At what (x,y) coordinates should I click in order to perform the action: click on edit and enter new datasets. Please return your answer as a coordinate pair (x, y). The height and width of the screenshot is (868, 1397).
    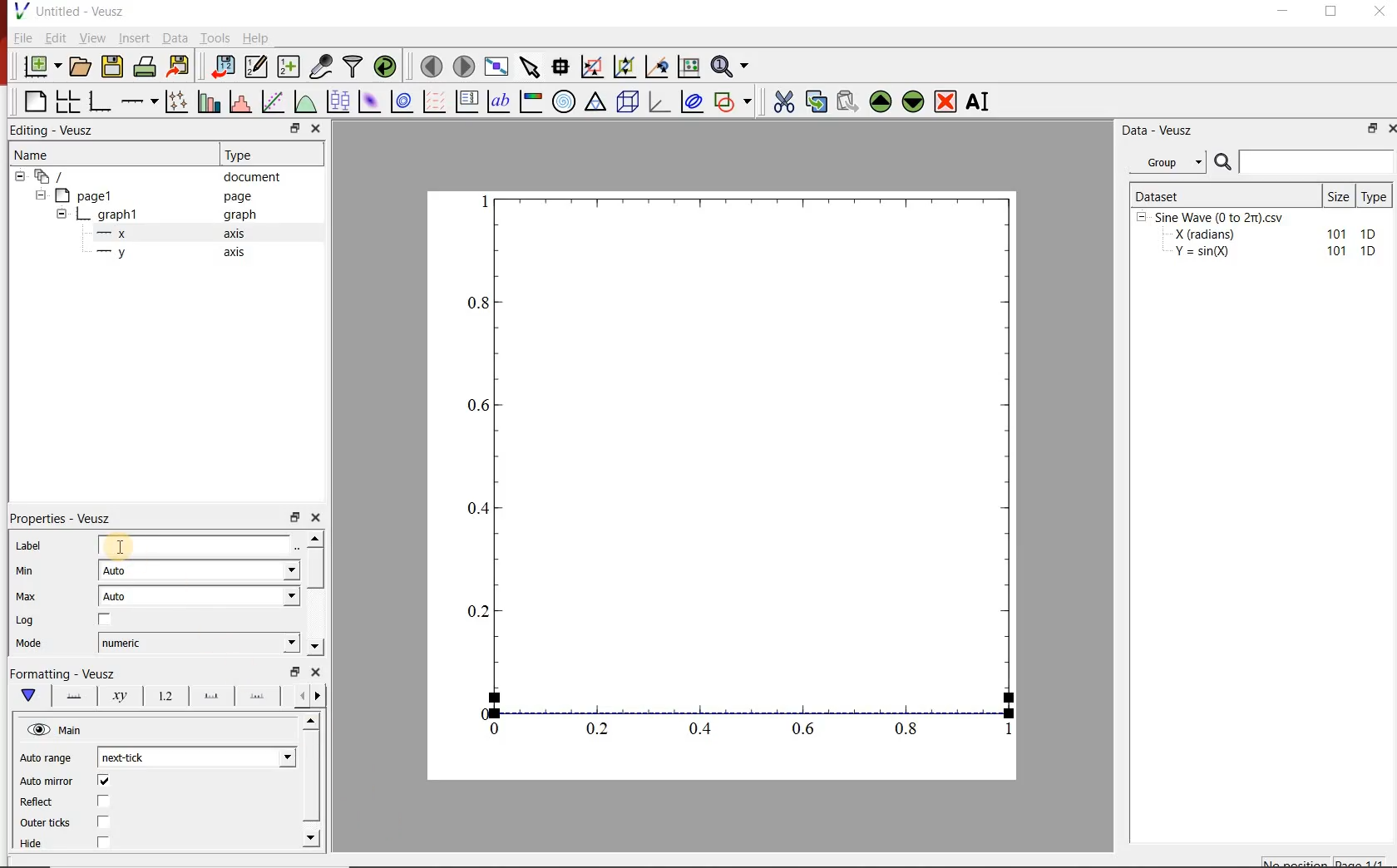
    Looking at the image, I should click on (257, 67).